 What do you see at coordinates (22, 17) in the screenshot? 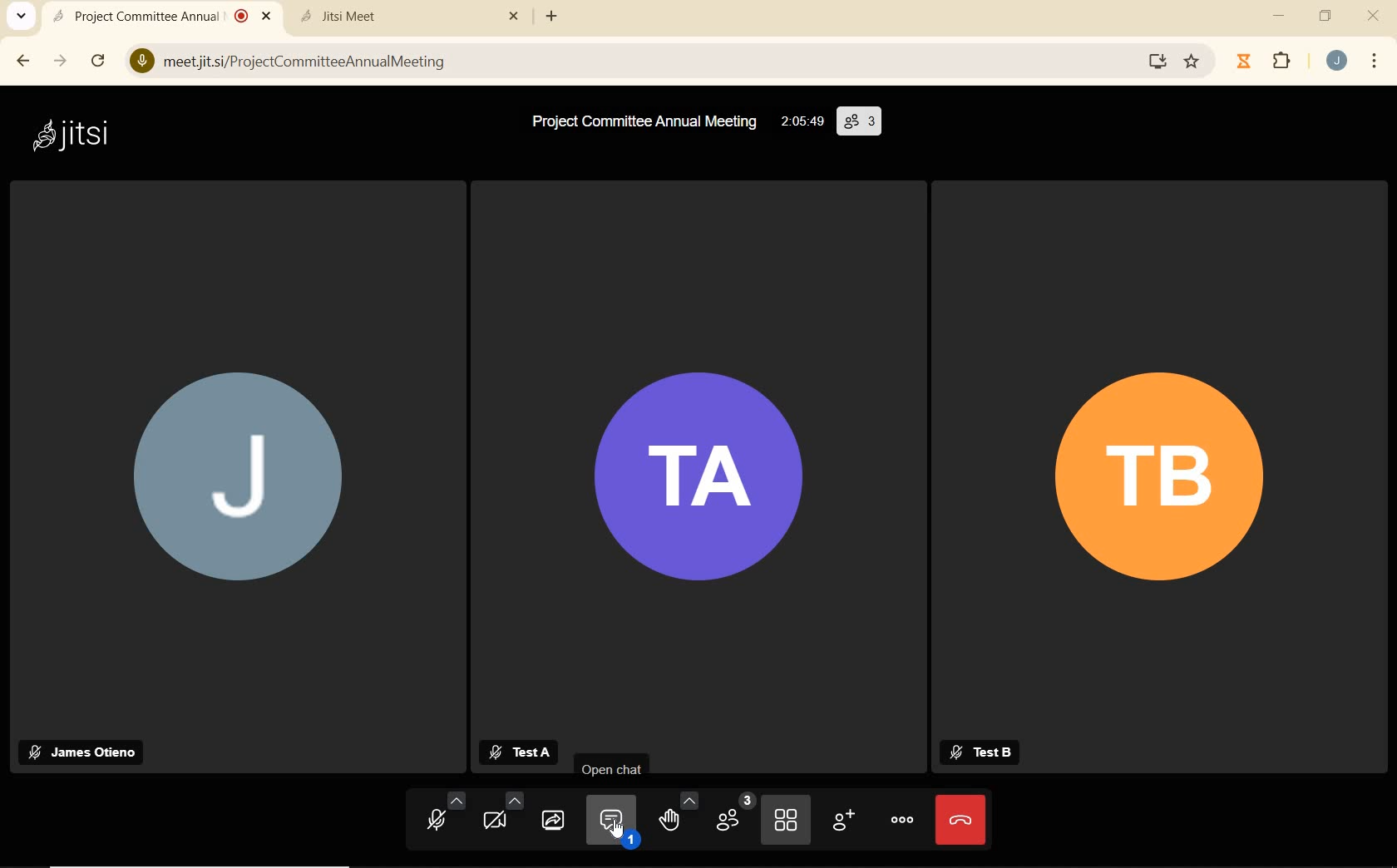
I see `search tabs` at bounding box center [22, 17].